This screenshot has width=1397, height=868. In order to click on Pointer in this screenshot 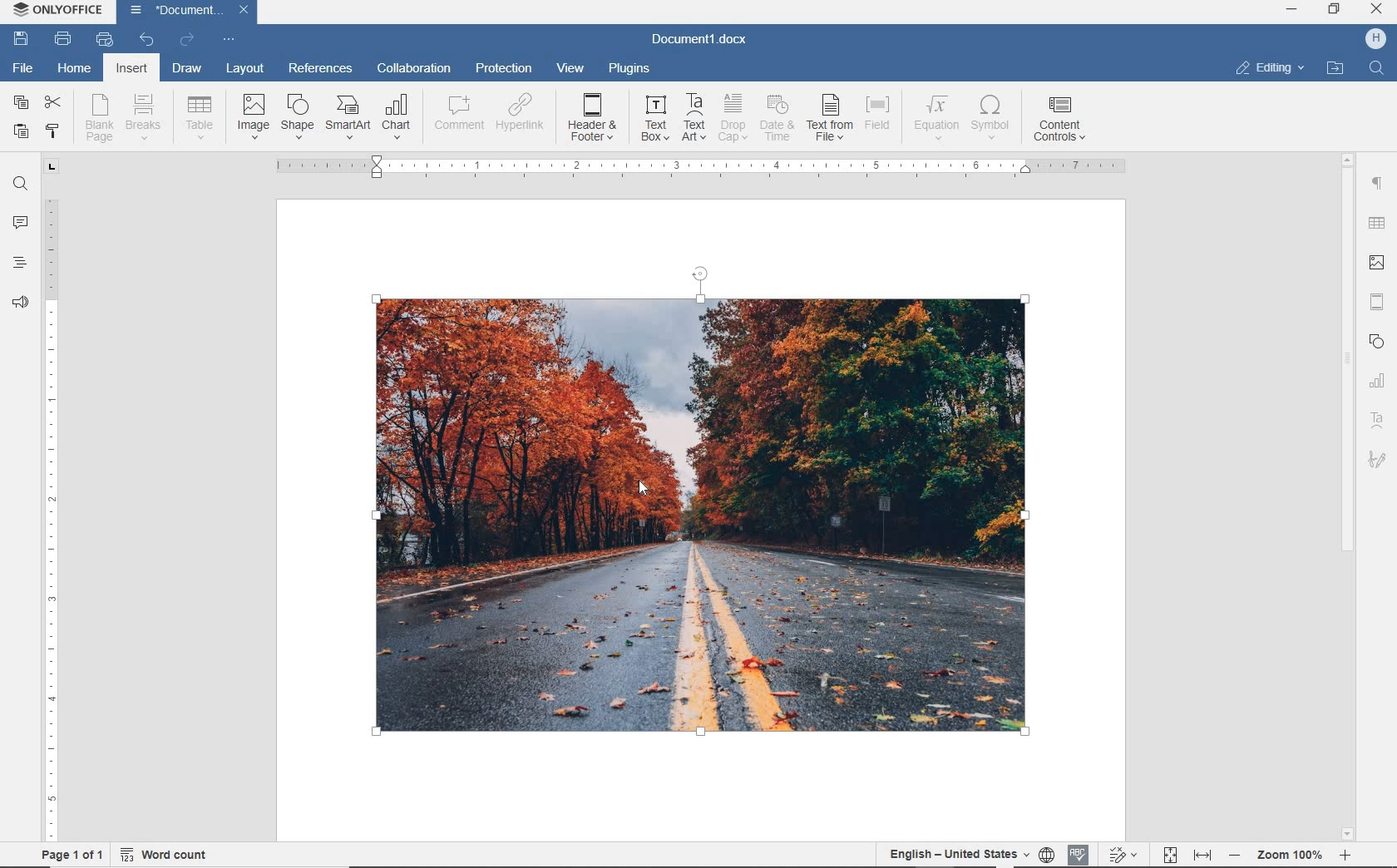, I will do `click(654, 498)`.